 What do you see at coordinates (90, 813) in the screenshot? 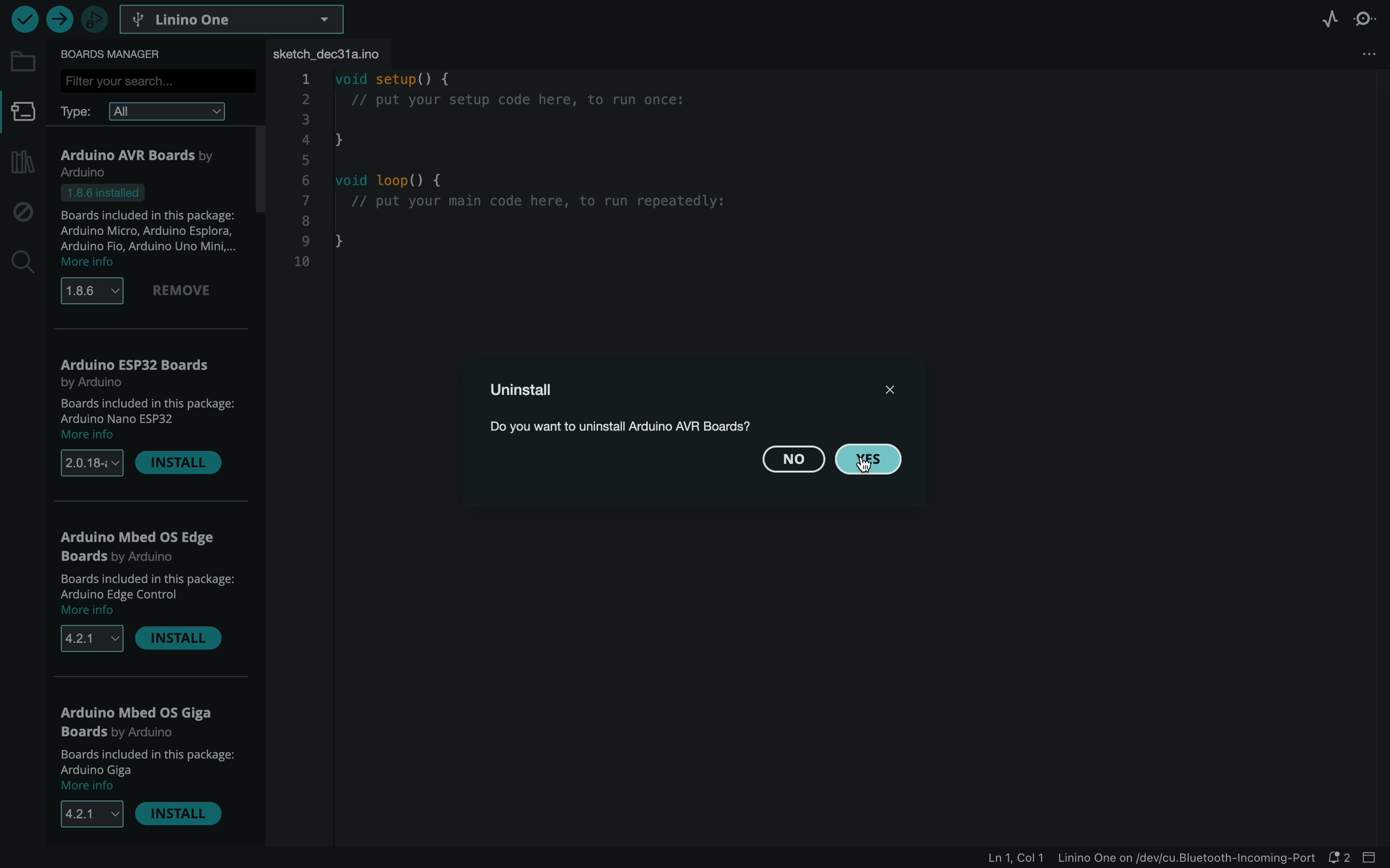
I see `versions` at bounding box center [90, 813].